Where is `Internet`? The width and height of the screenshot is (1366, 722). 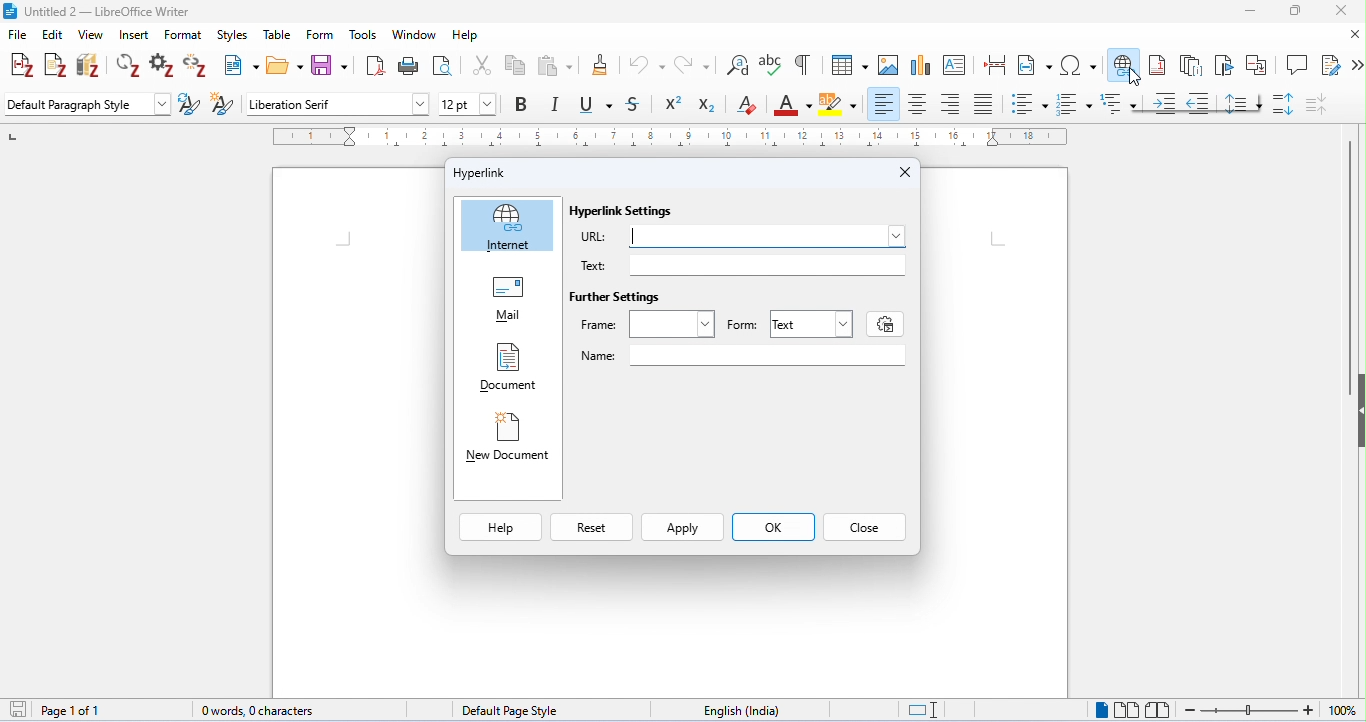
Internet is located at coordinates (509, 224).